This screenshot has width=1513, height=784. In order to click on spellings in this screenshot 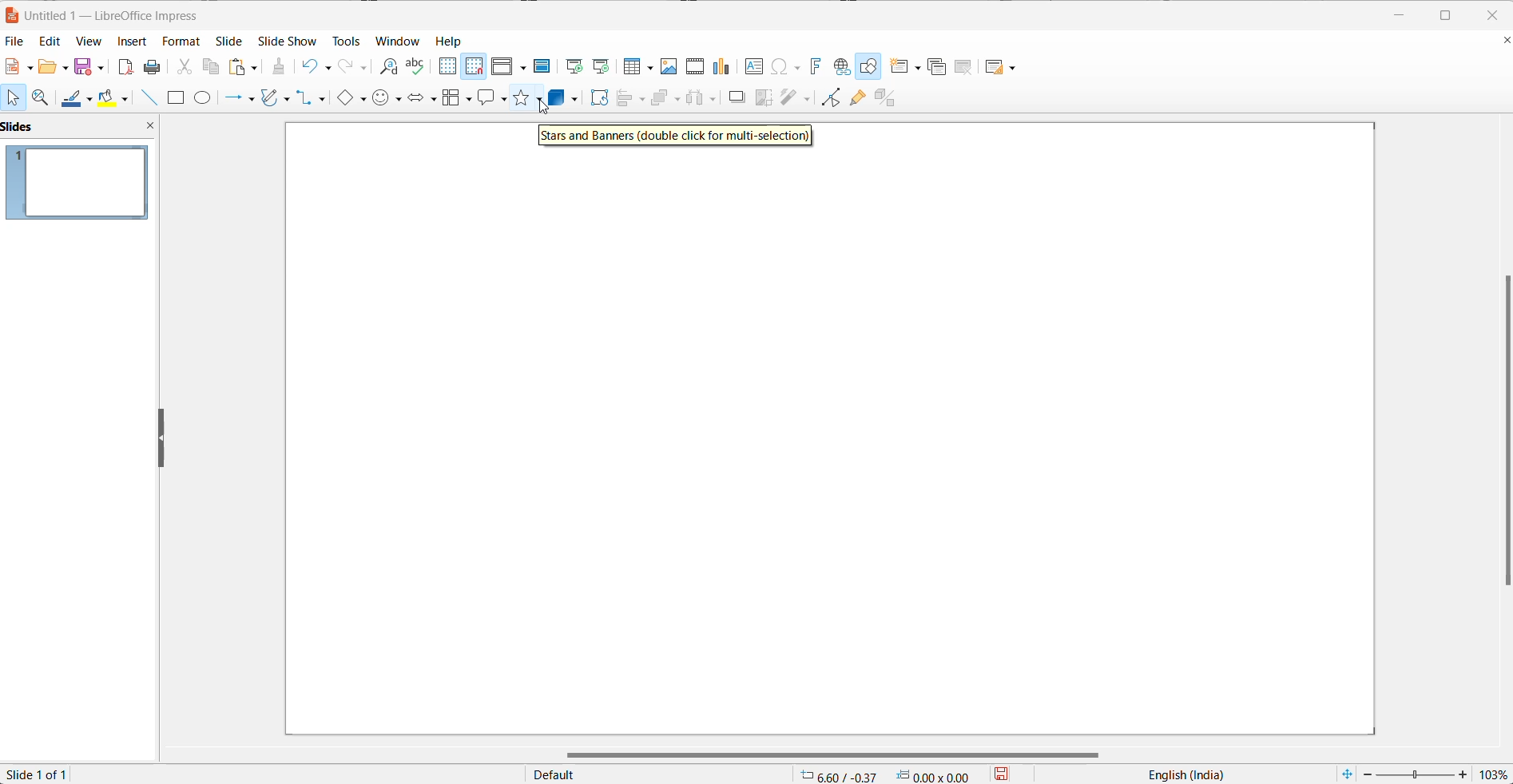, I will do `click(417, 66)`.